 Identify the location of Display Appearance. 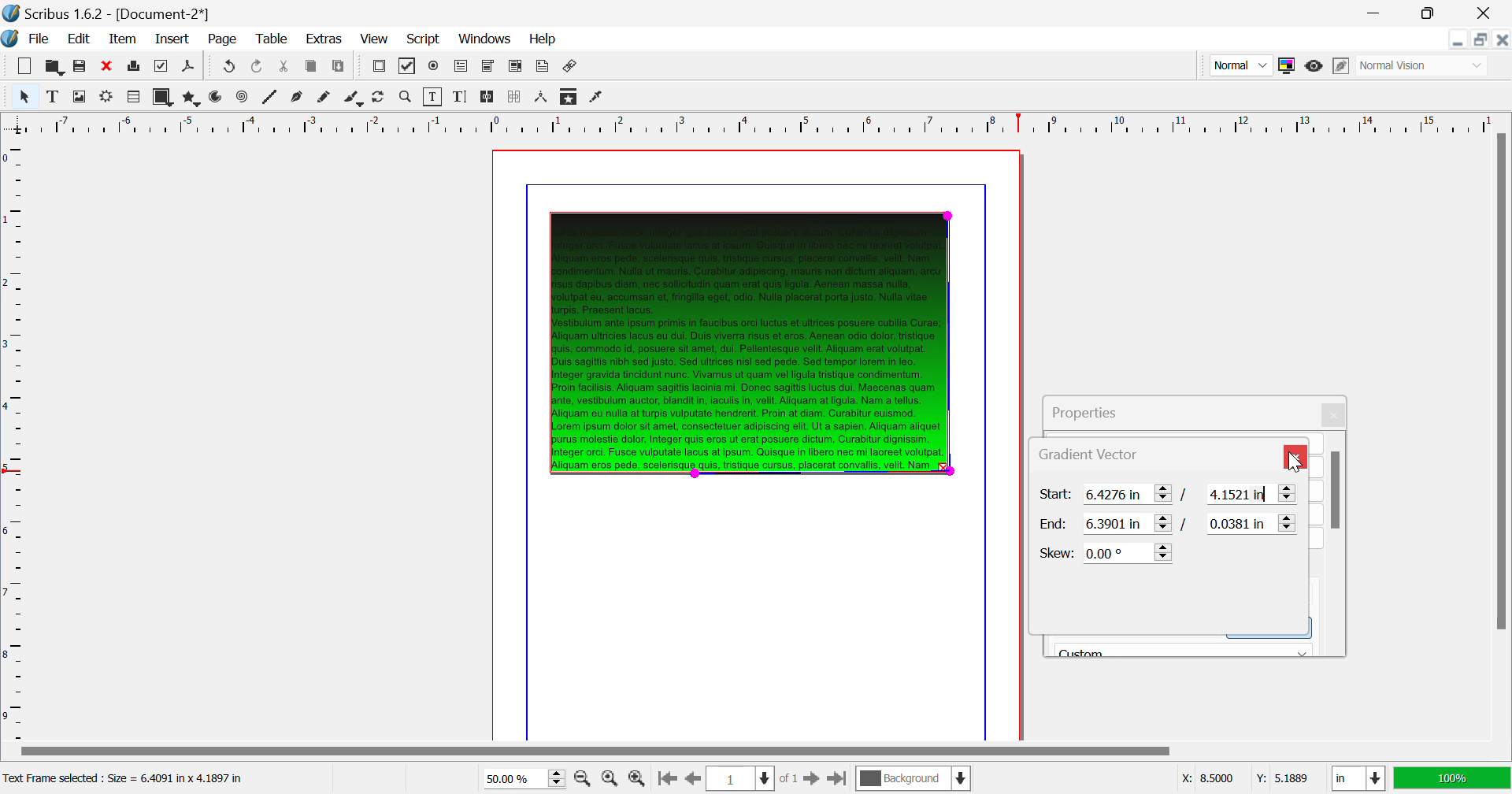
(1452, 778).